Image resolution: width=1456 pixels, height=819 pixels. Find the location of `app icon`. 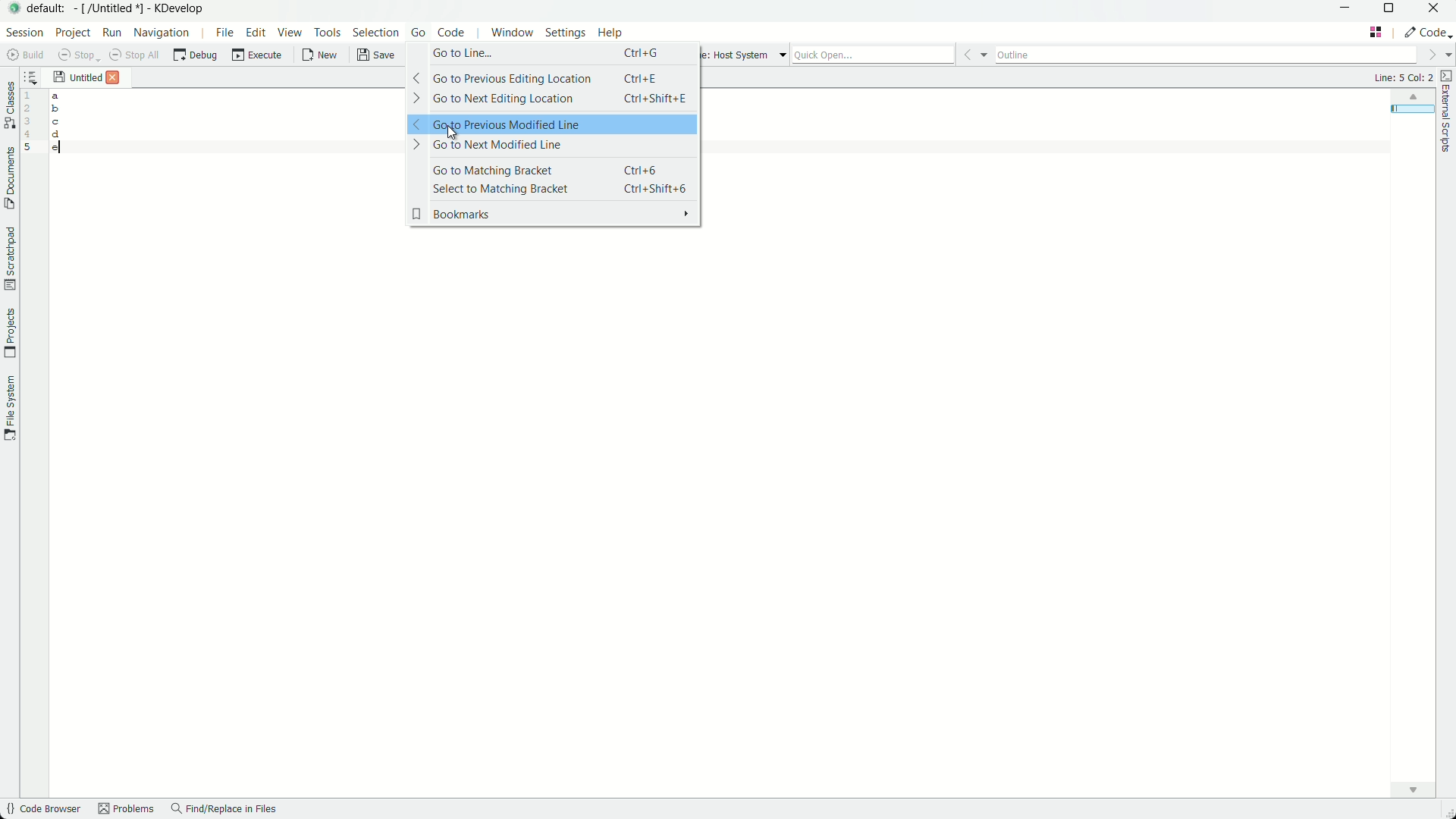

app icon is located at coordinates (15, 11).